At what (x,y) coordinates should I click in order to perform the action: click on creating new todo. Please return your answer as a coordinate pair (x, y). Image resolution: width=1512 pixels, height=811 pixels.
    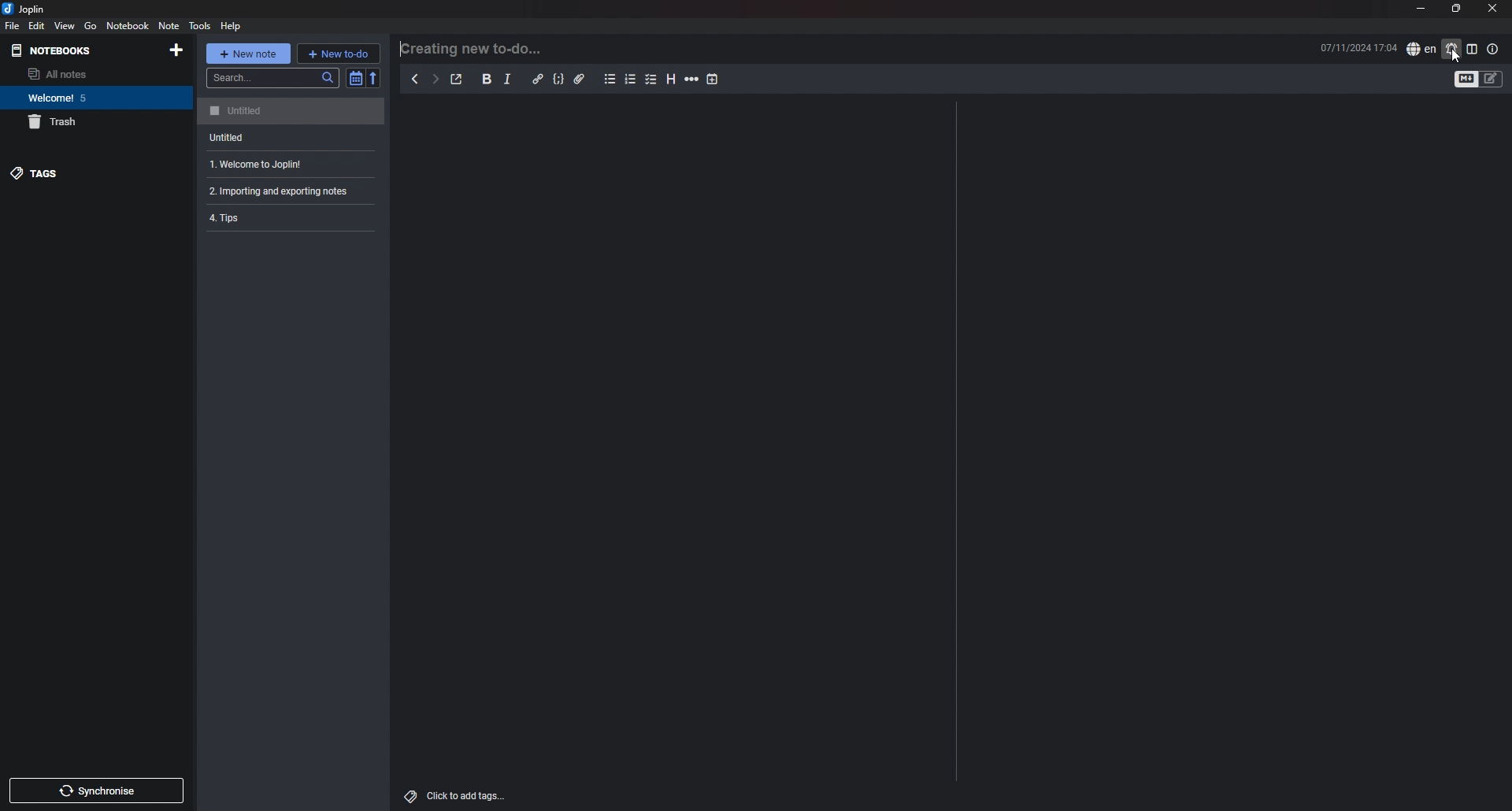
    Looking at the image, I should click on (476, 49).